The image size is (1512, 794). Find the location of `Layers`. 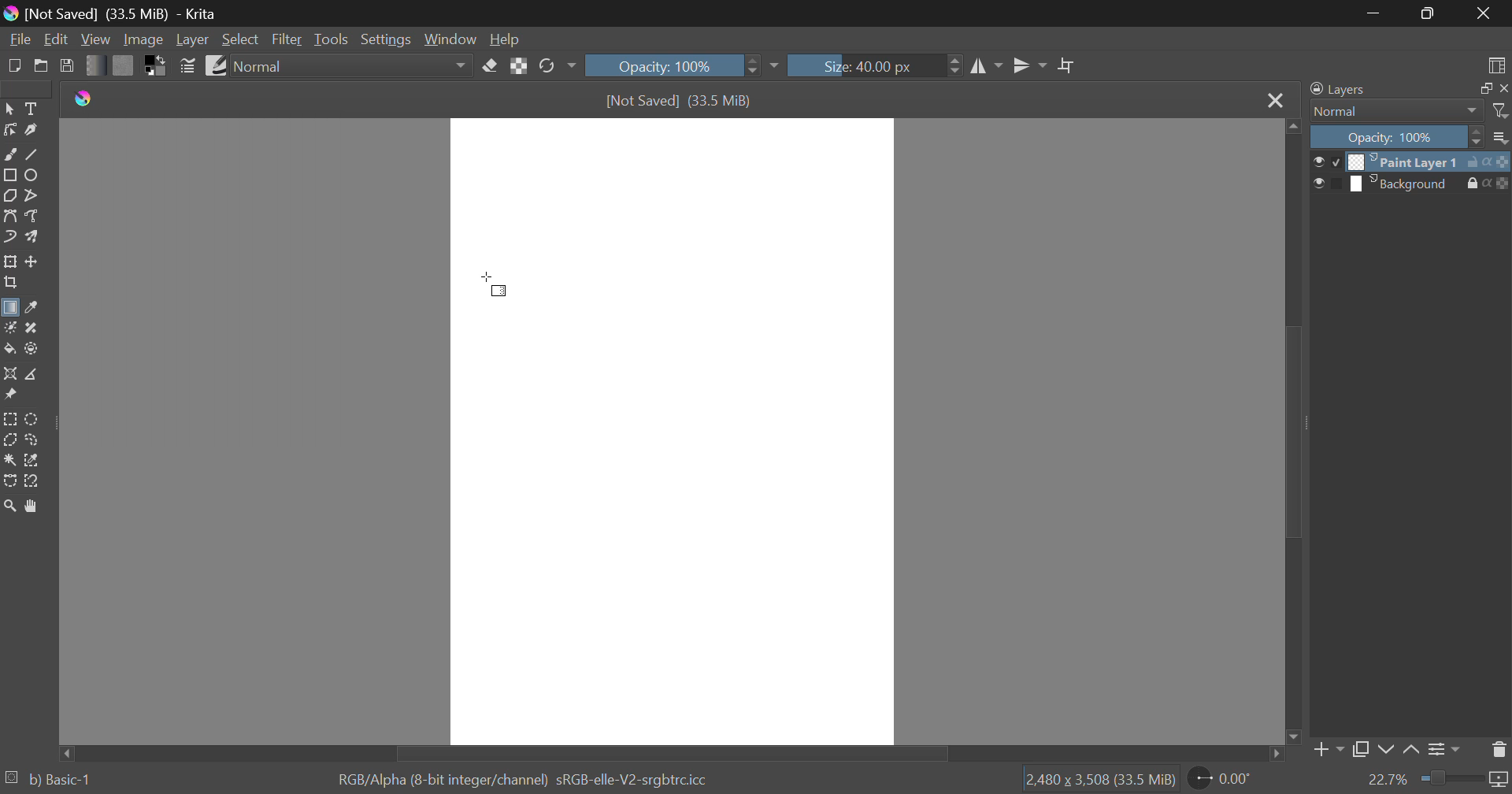

Layers is located at coordinates (1338, 90).